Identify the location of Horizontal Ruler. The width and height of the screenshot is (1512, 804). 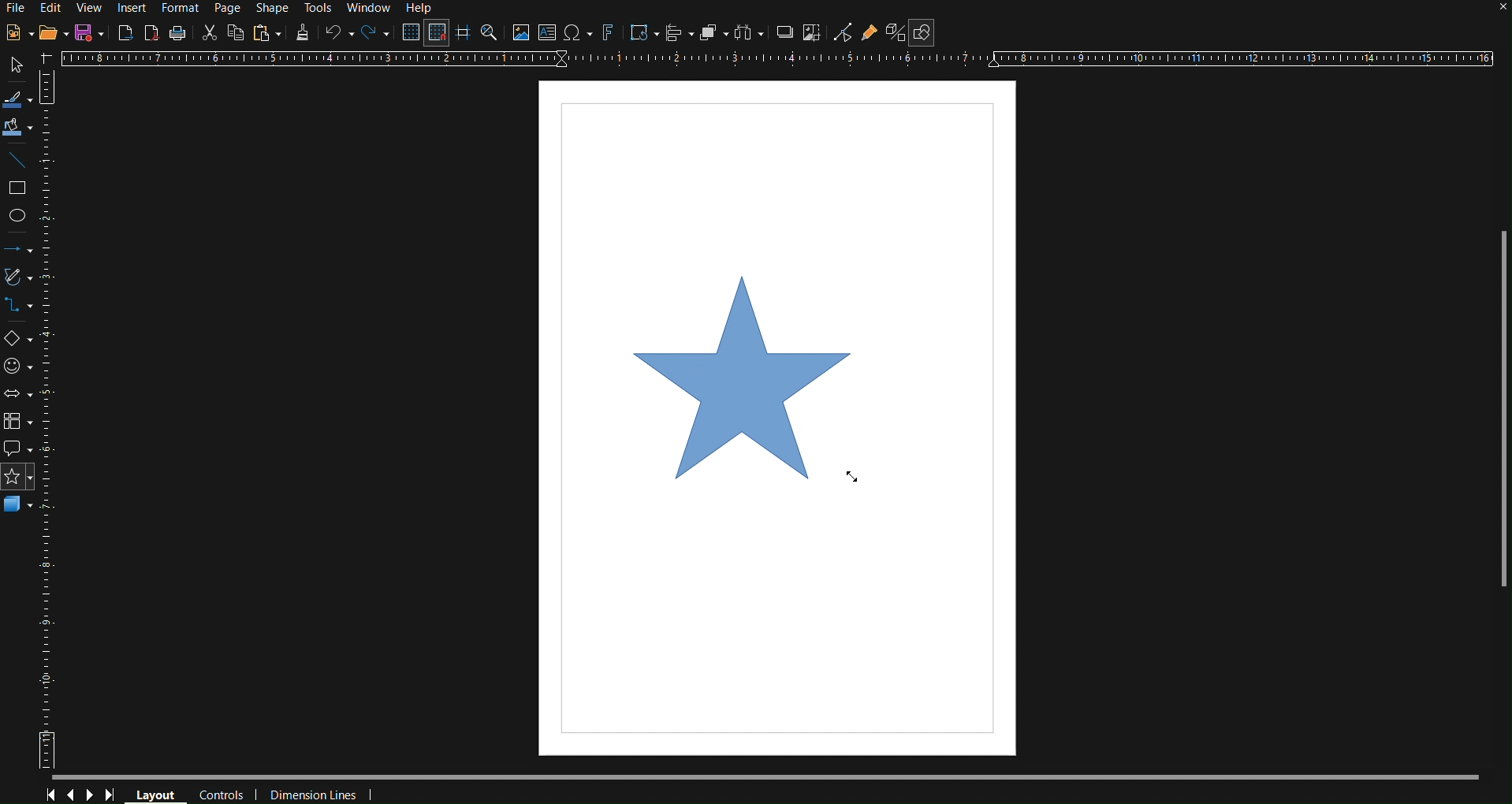
(776, 59).